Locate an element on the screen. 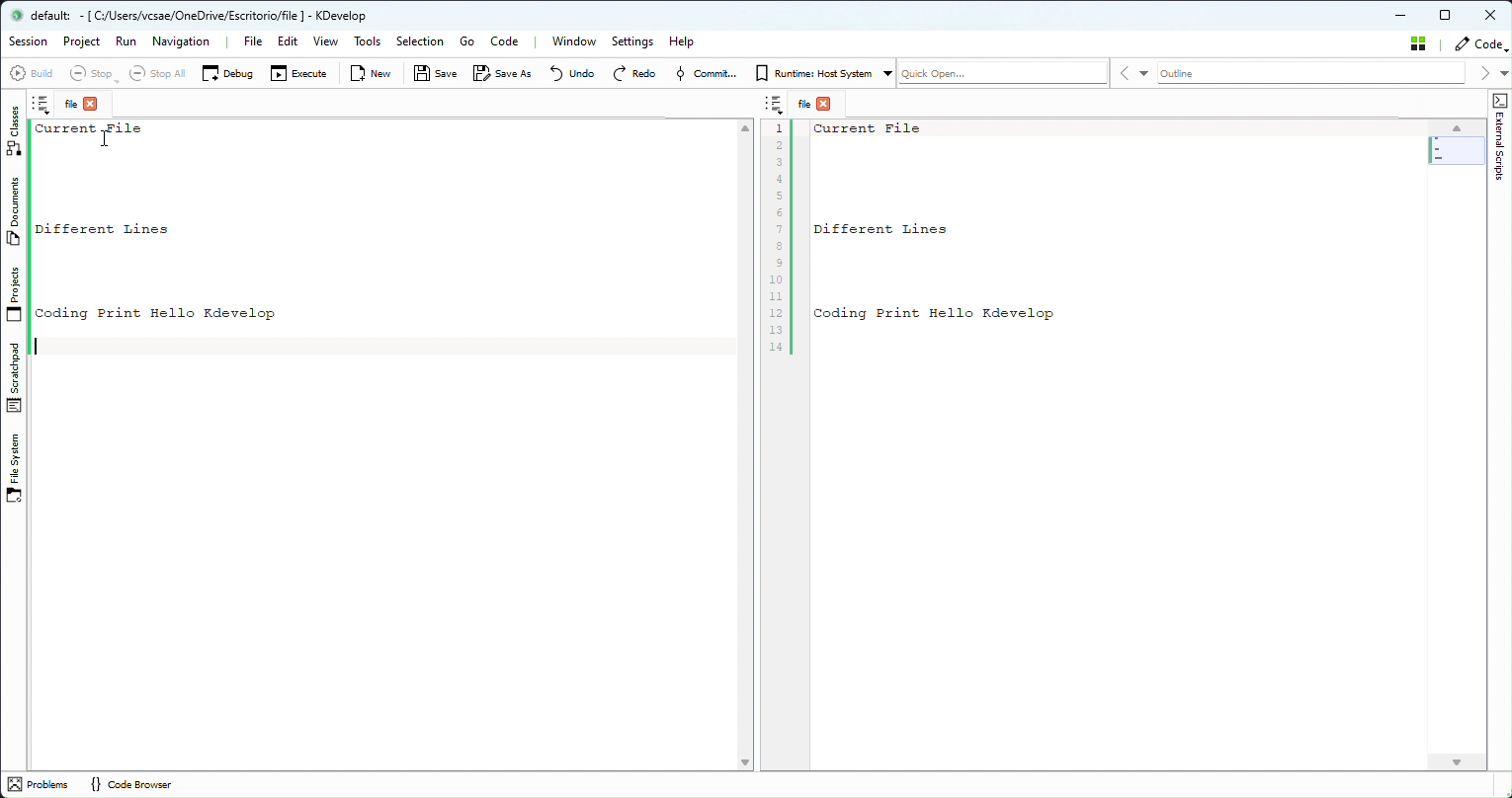  New is located at coordinates (372, 73).